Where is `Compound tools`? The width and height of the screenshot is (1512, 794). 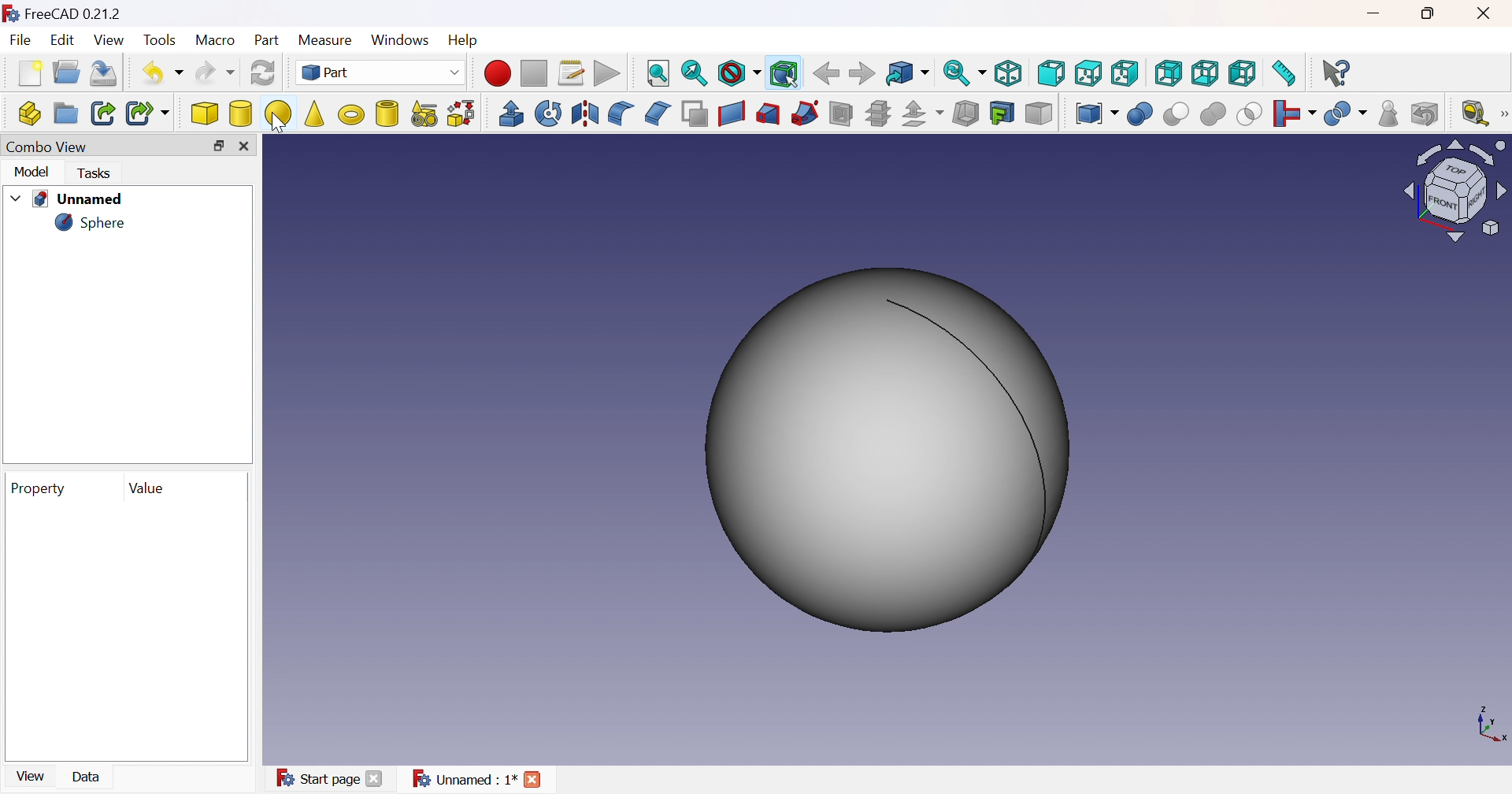 Compound tools is located at coordinates (1094, 113).